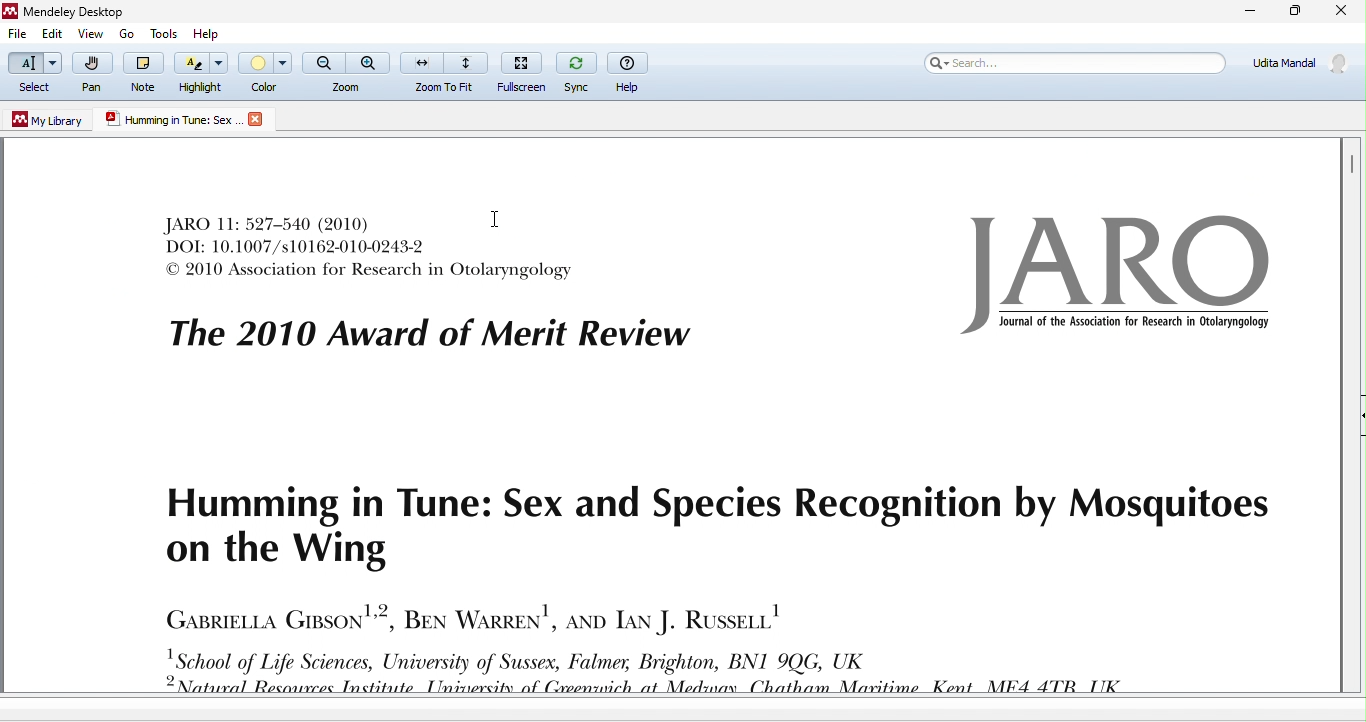  What do you see at coordinates (346, 73) in the screenshot?
I see `zoom` at bounding box center [346, 73].